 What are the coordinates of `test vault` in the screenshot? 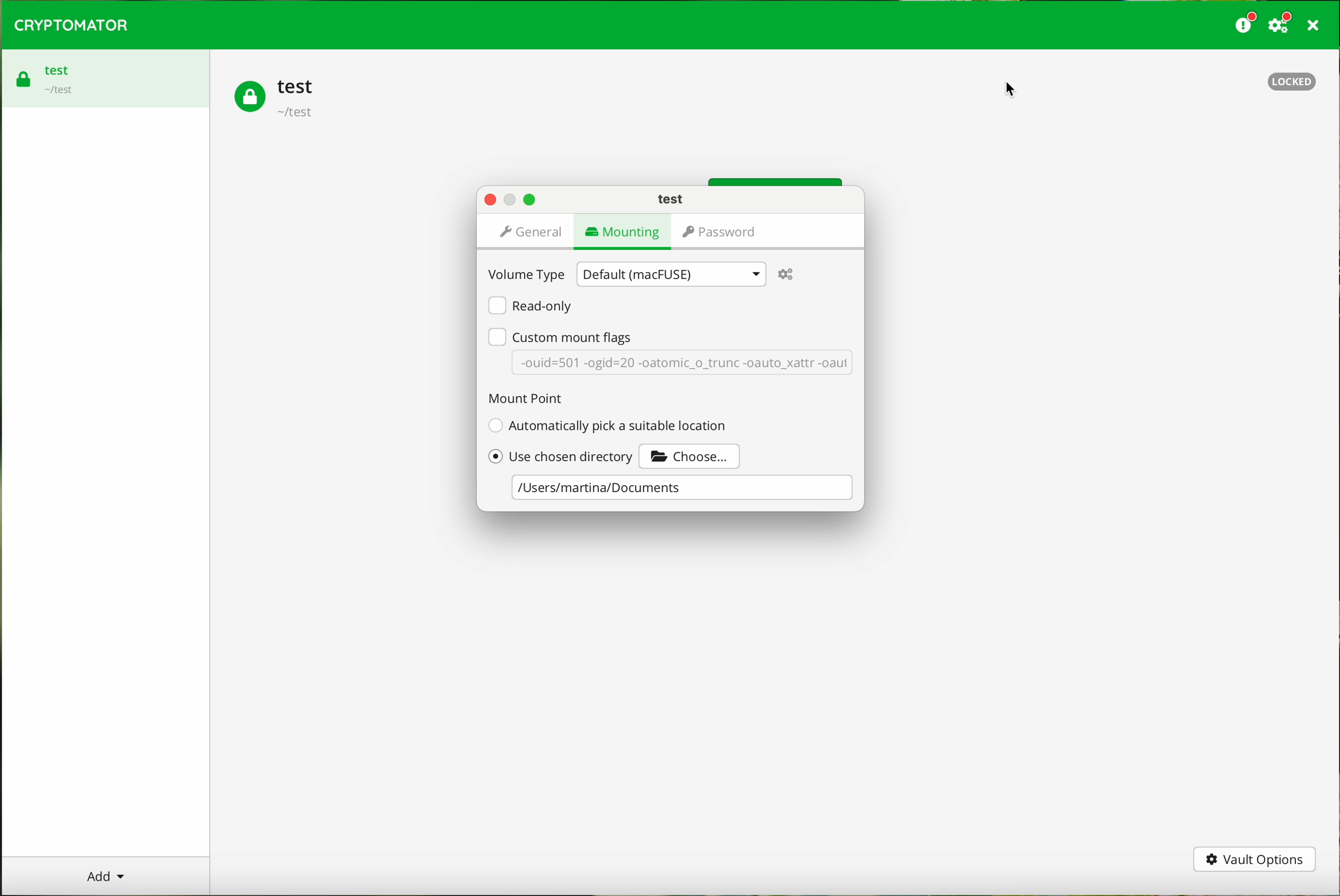 It's located at (106, 78).